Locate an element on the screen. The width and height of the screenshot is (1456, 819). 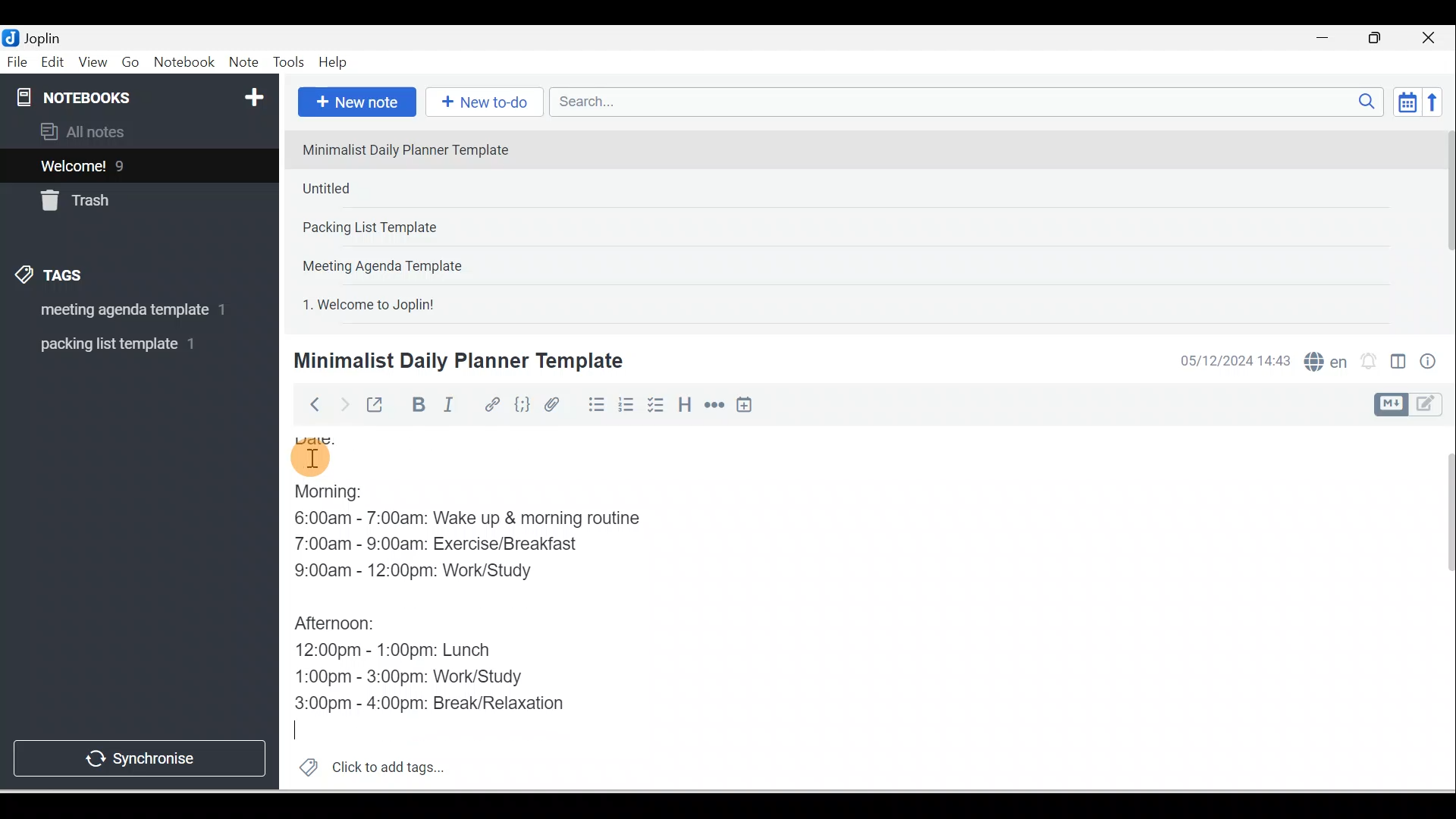
Reverse sort is located at coordinates (1437, 102).